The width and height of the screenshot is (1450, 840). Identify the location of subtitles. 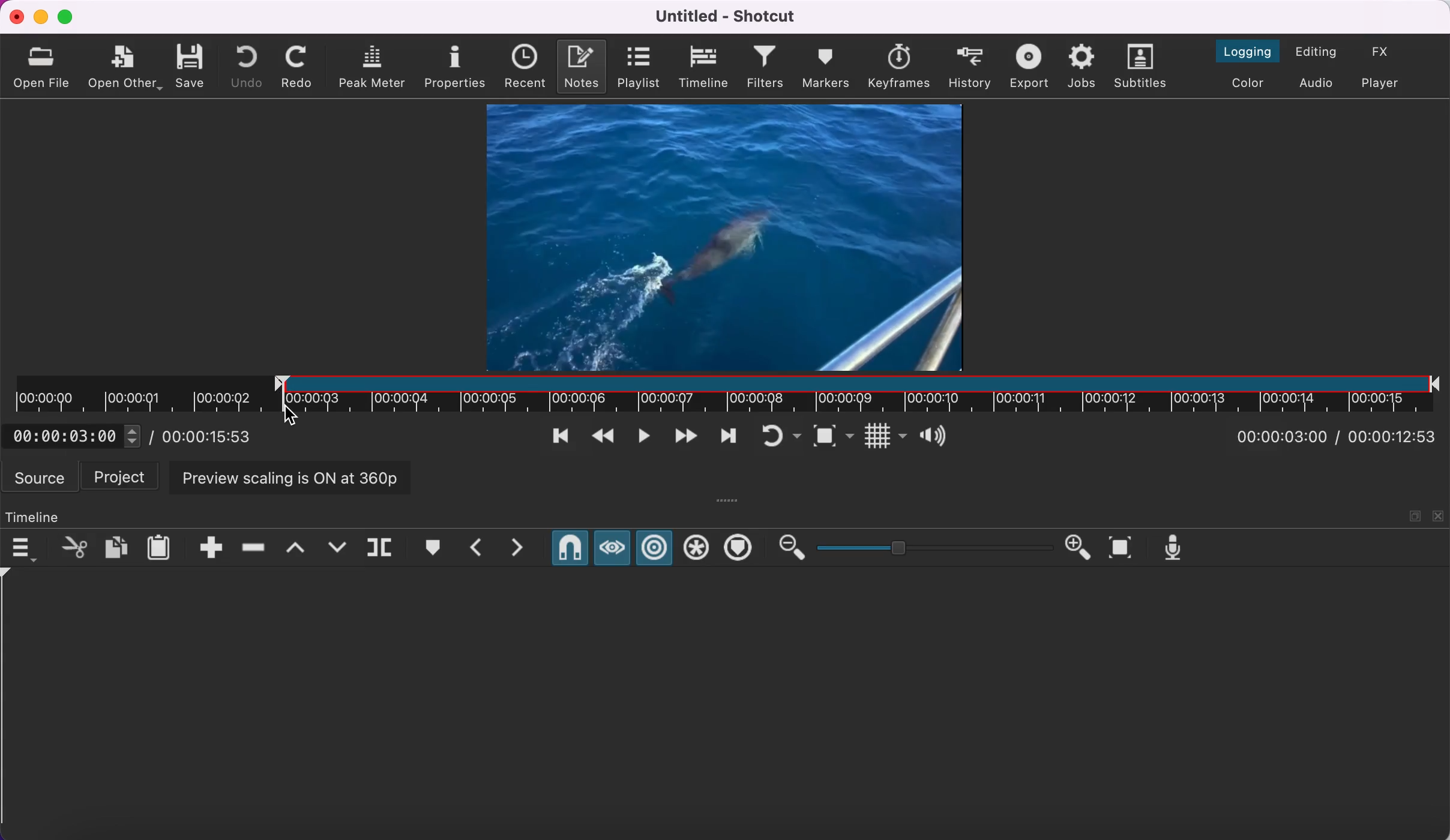
(1145, 67).